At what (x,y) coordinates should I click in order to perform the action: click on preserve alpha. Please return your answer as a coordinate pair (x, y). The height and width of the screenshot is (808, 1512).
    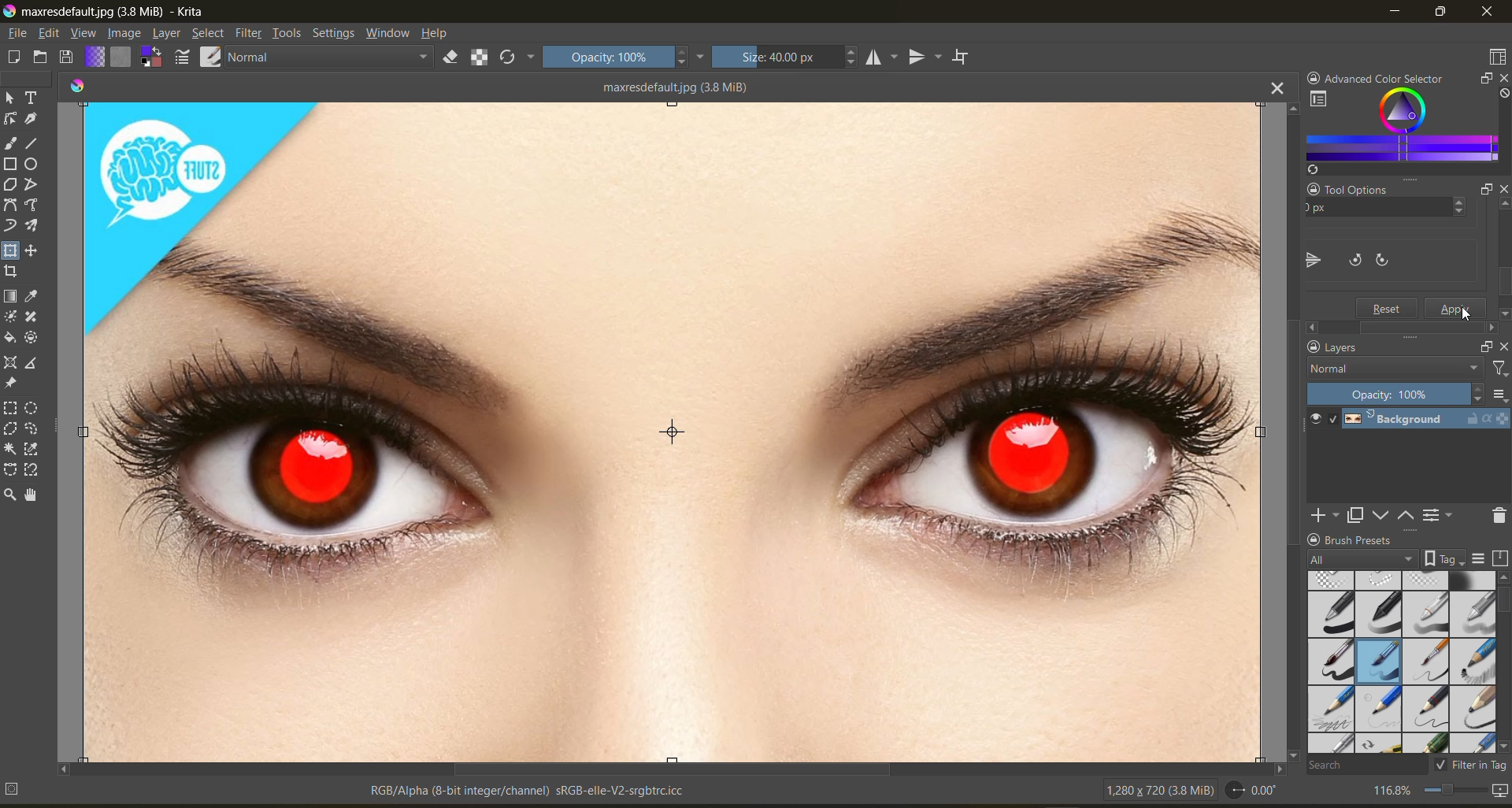
    Looking at the image, I should click on (481, 57).